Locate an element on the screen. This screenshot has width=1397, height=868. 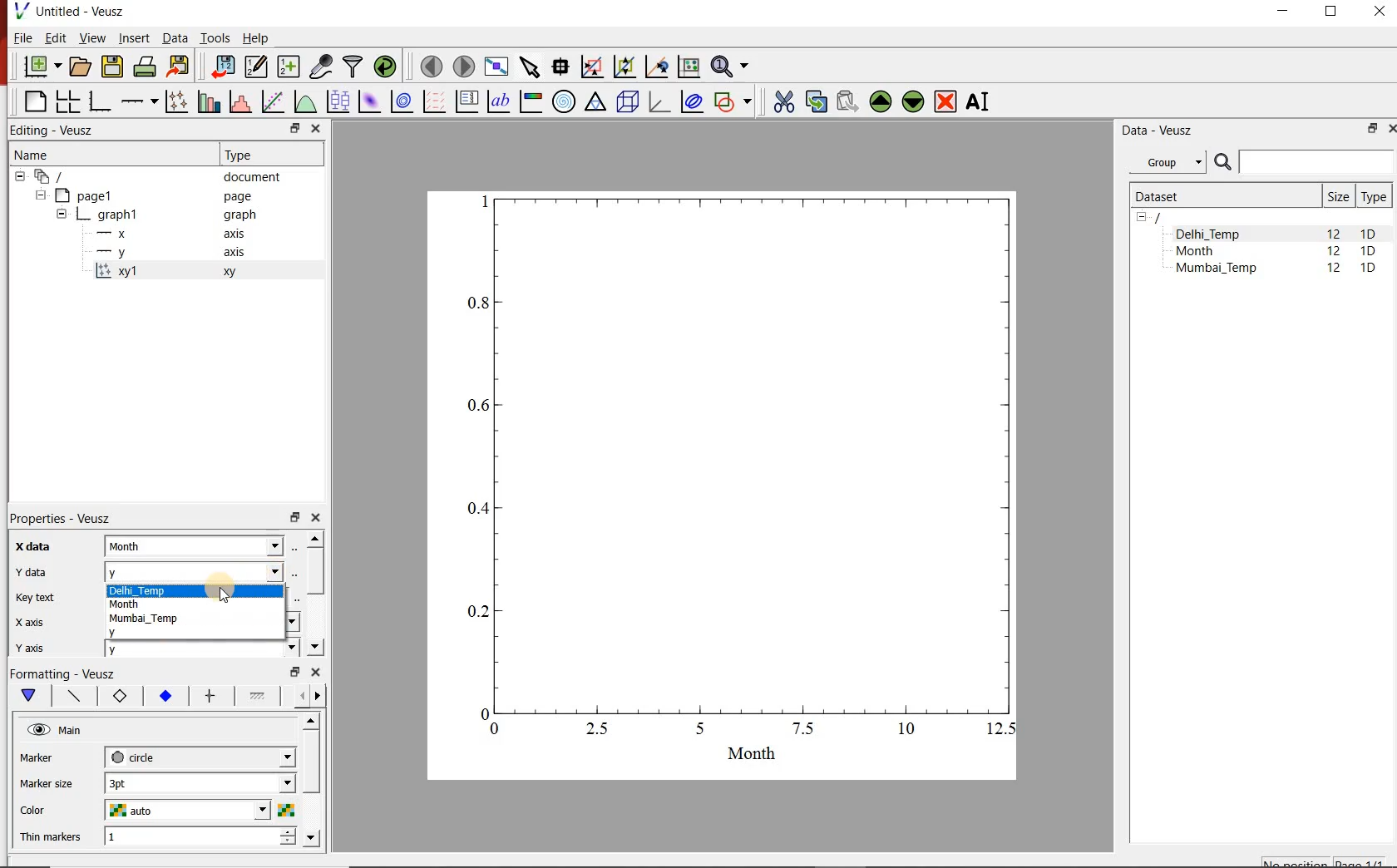
image color bar is located at coordinates (531, 101).